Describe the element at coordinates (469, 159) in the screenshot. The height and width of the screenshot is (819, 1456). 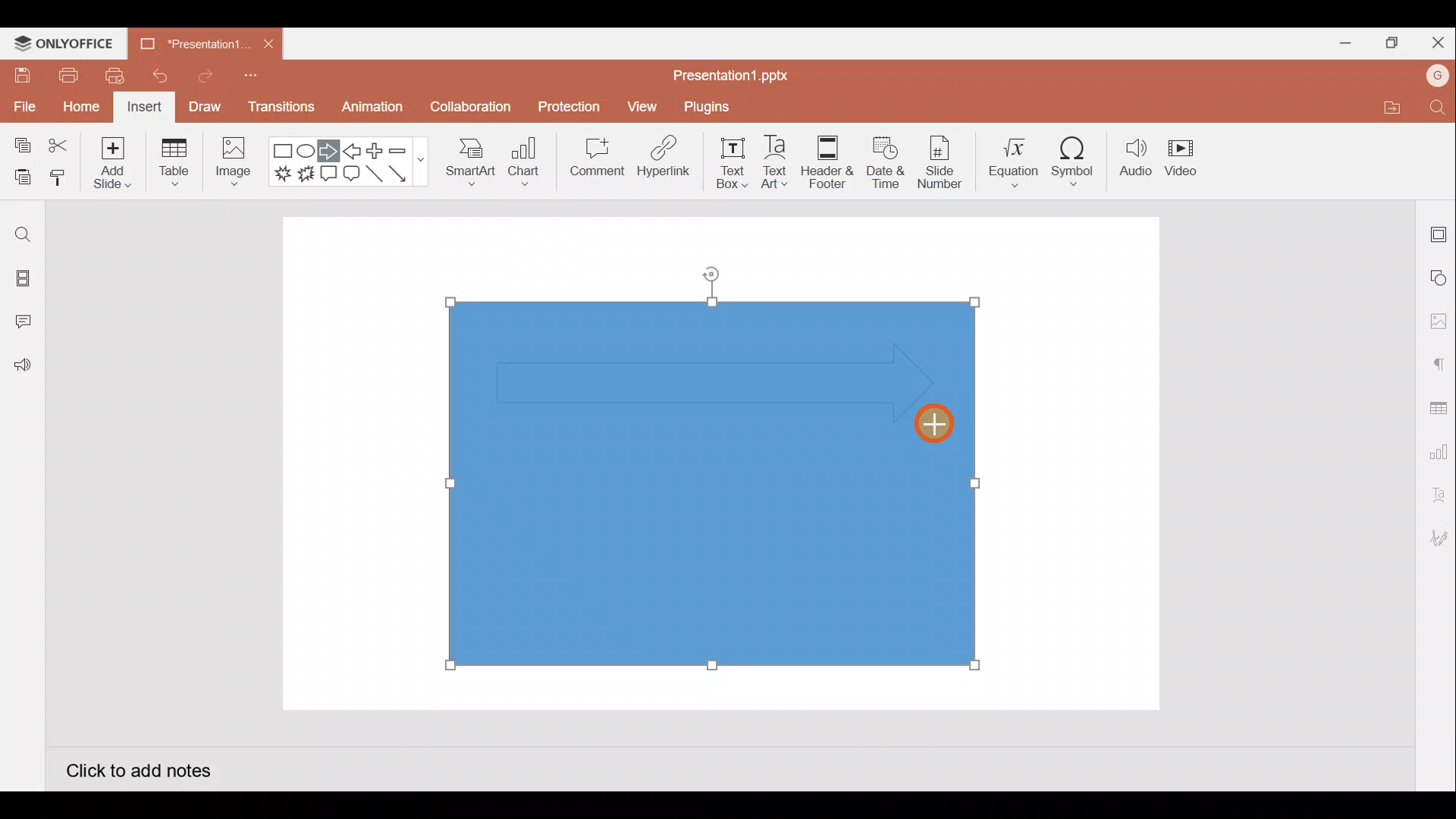
I see `SmartArt` at that location.